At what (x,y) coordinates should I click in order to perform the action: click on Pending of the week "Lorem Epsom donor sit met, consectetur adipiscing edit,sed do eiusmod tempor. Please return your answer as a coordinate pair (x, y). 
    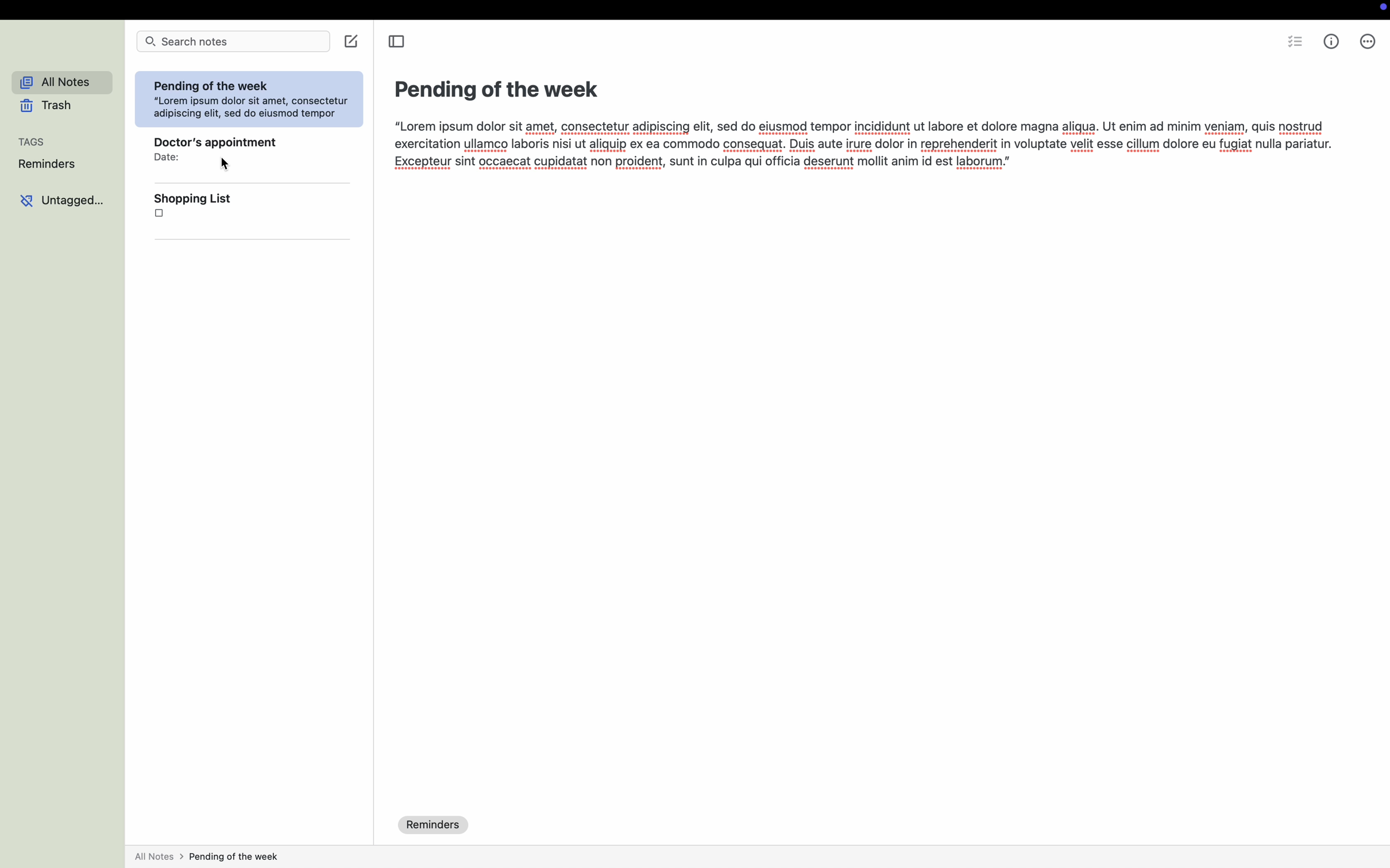
    Looking at the image, I should click on (251, 100).